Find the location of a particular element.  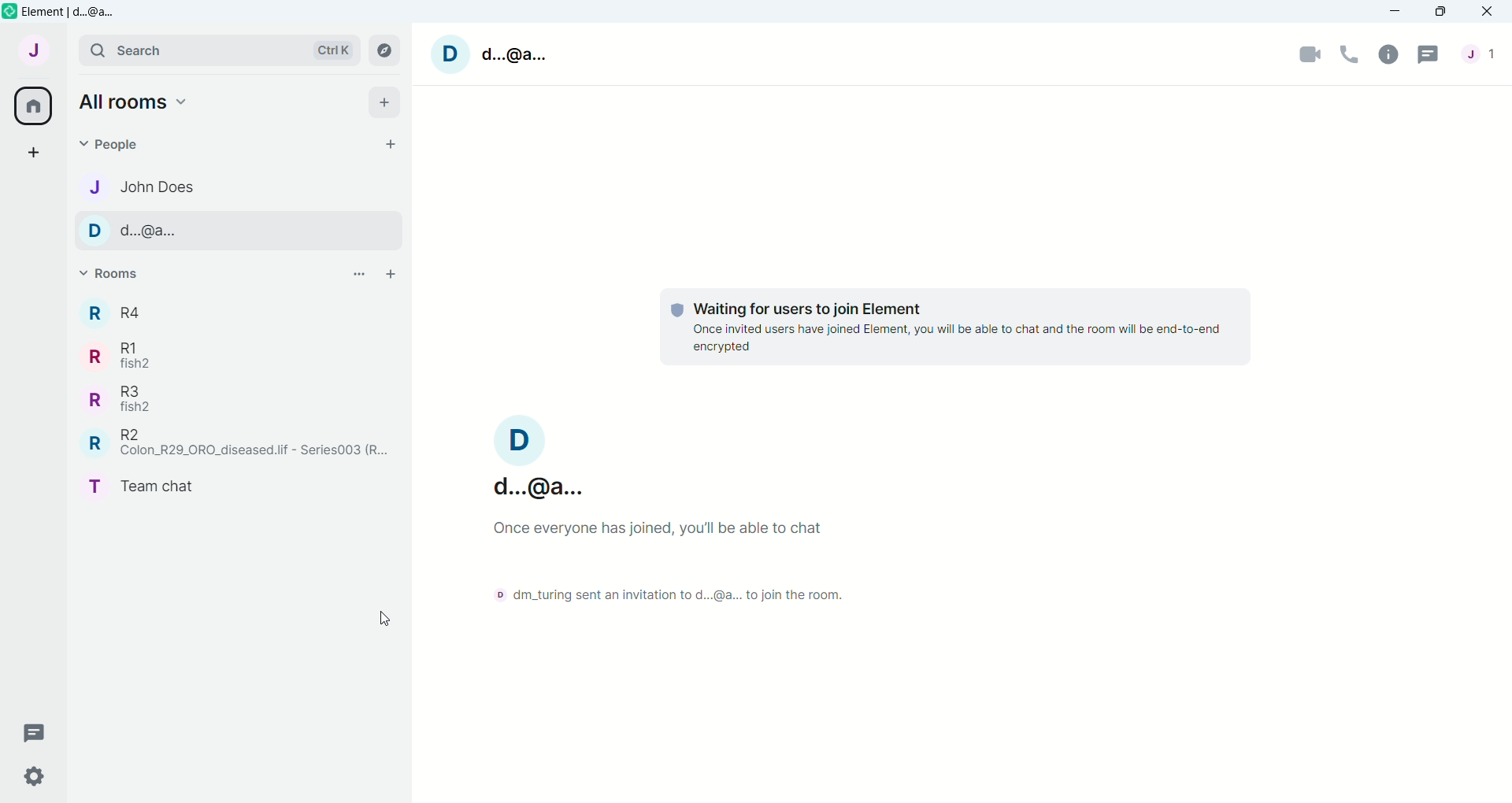

search Ctrl K is located at coordinates (217, 51).